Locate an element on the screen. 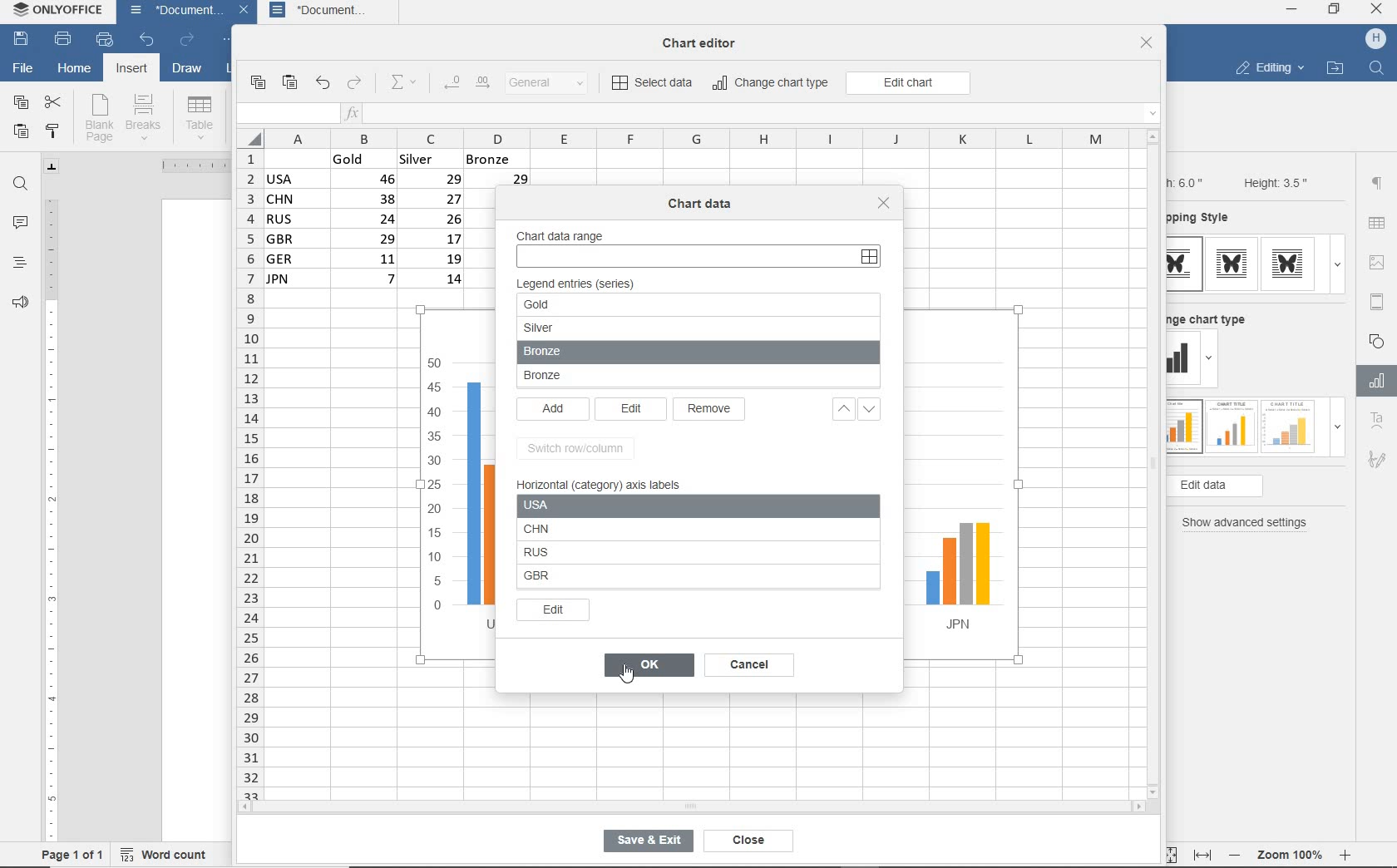 Image resolution: width=1397 pixels, height=868 pixels. document name is located at coordinates (171, 12).